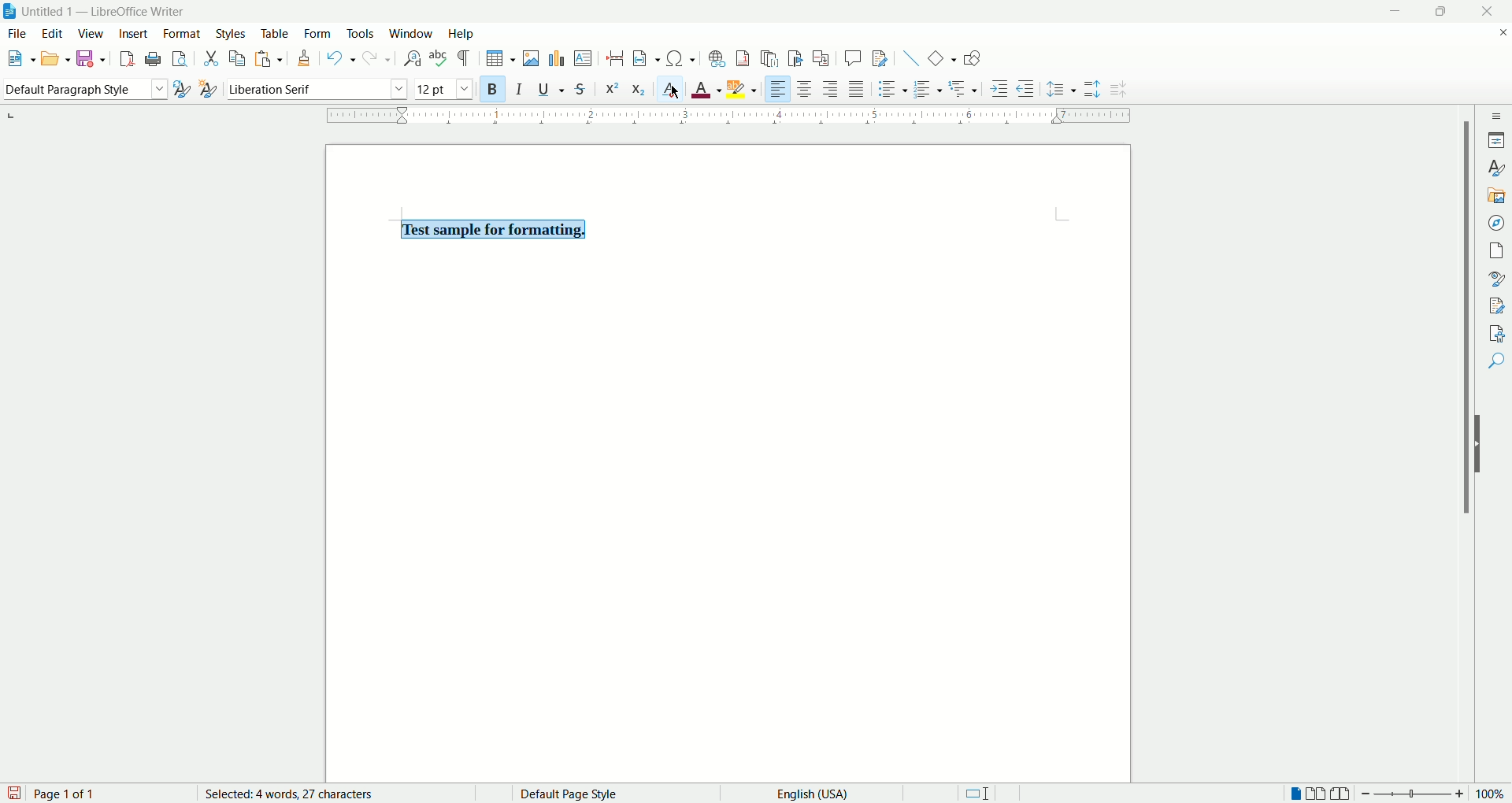 Image resolution: width=1512 pixels, height=803 pixels. What do you see at coordinates (209, 88) in the screenshot?
I see `new style` at bounding box center [209, 88].